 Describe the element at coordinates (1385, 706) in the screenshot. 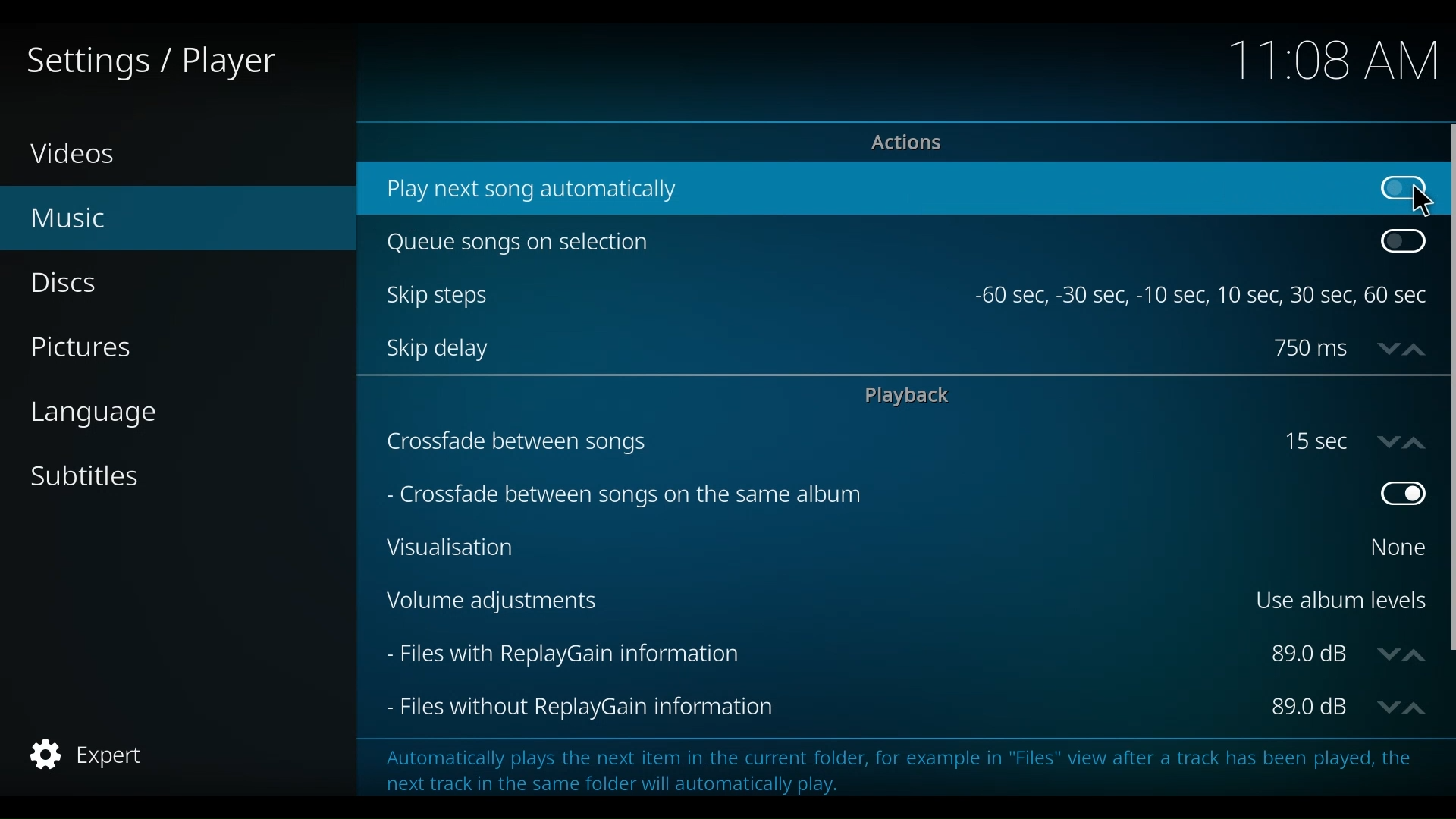

I see `Down` at that location.